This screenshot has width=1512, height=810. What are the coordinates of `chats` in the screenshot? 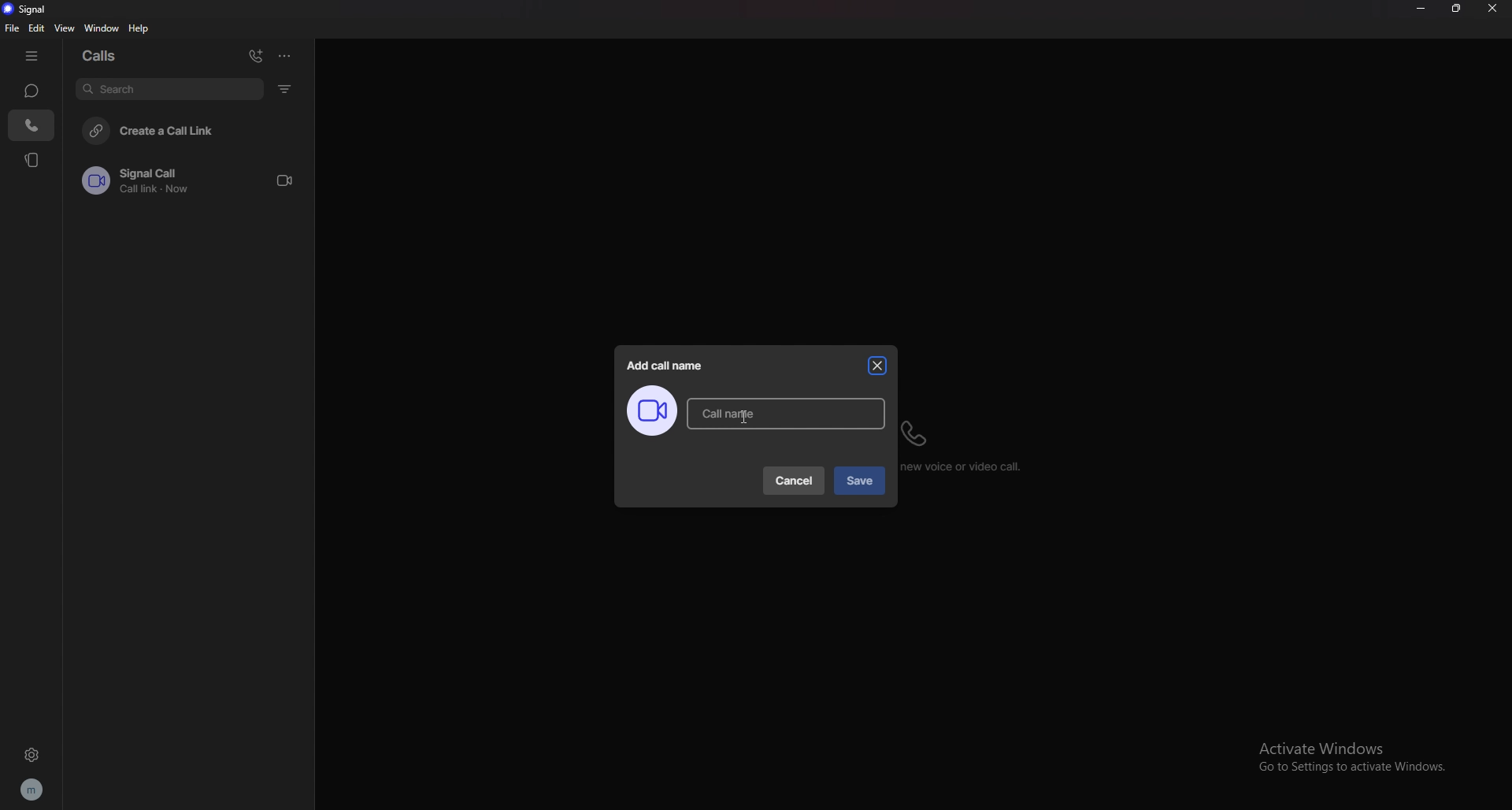 It's located at (31, 90).